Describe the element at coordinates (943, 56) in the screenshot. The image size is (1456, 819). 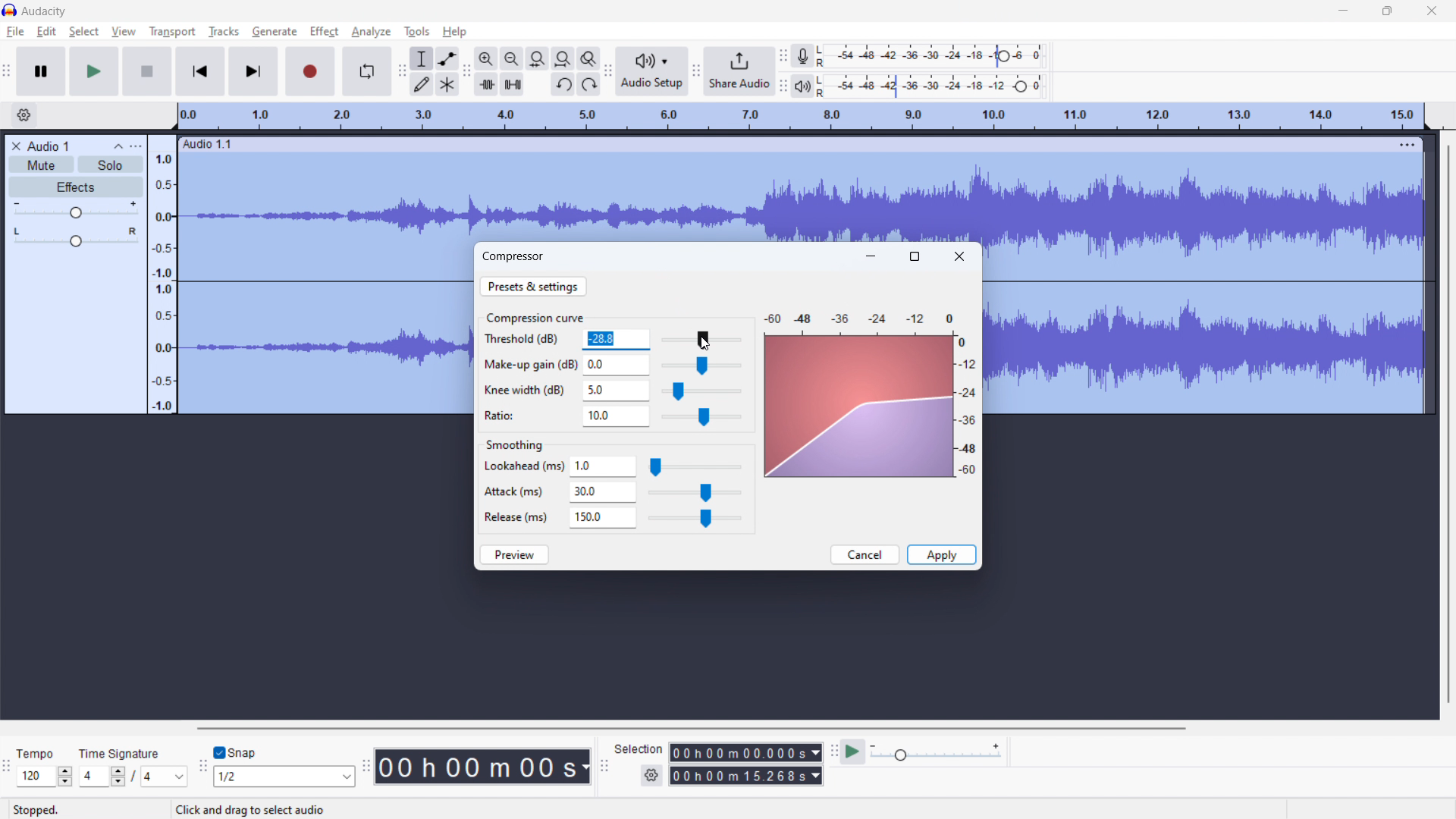
I see `record level` at that location.